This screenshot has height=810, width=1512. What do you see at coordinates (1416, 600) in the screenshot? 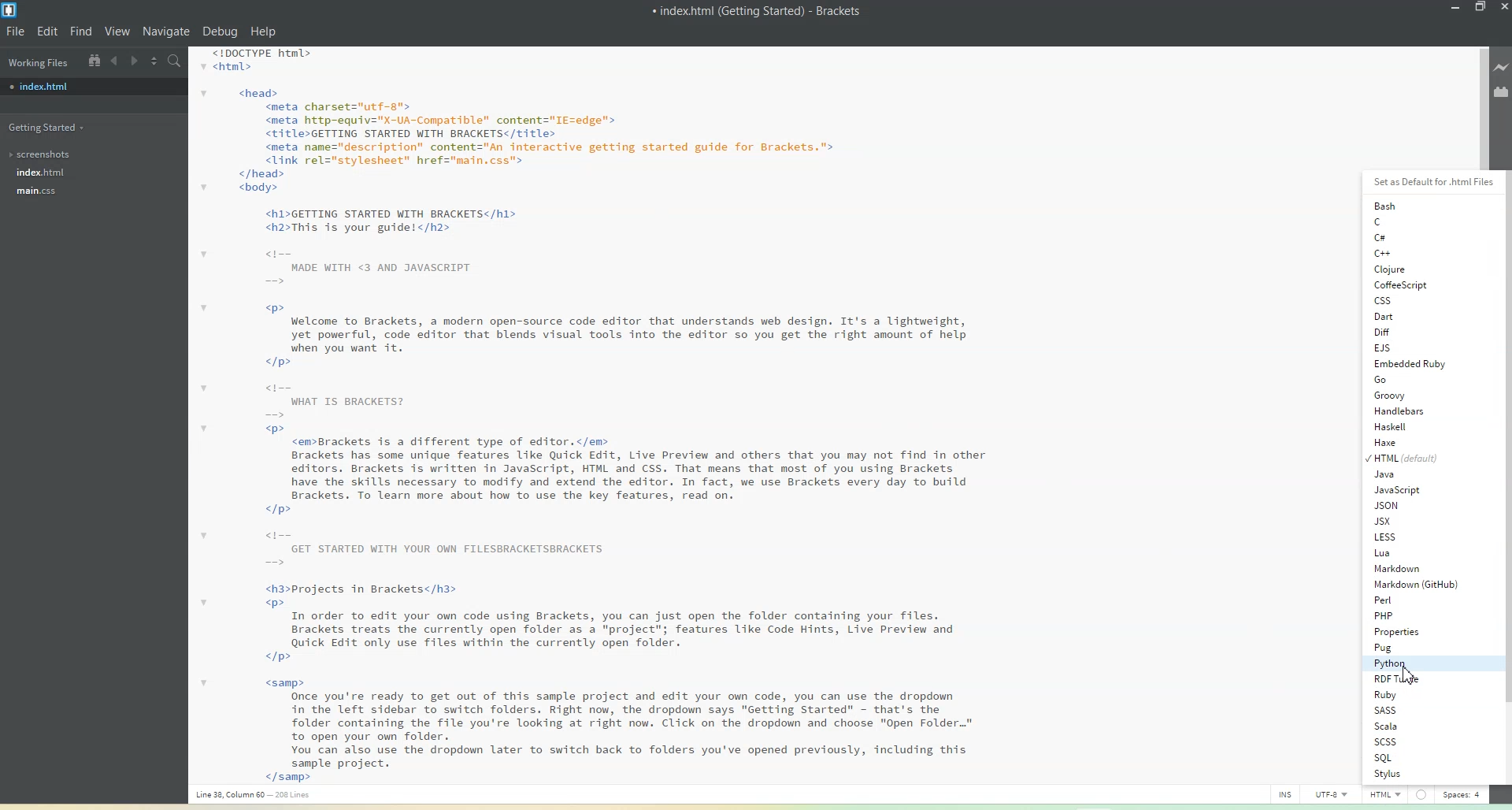
I see `Perl` at bounding box center [1416, 600].